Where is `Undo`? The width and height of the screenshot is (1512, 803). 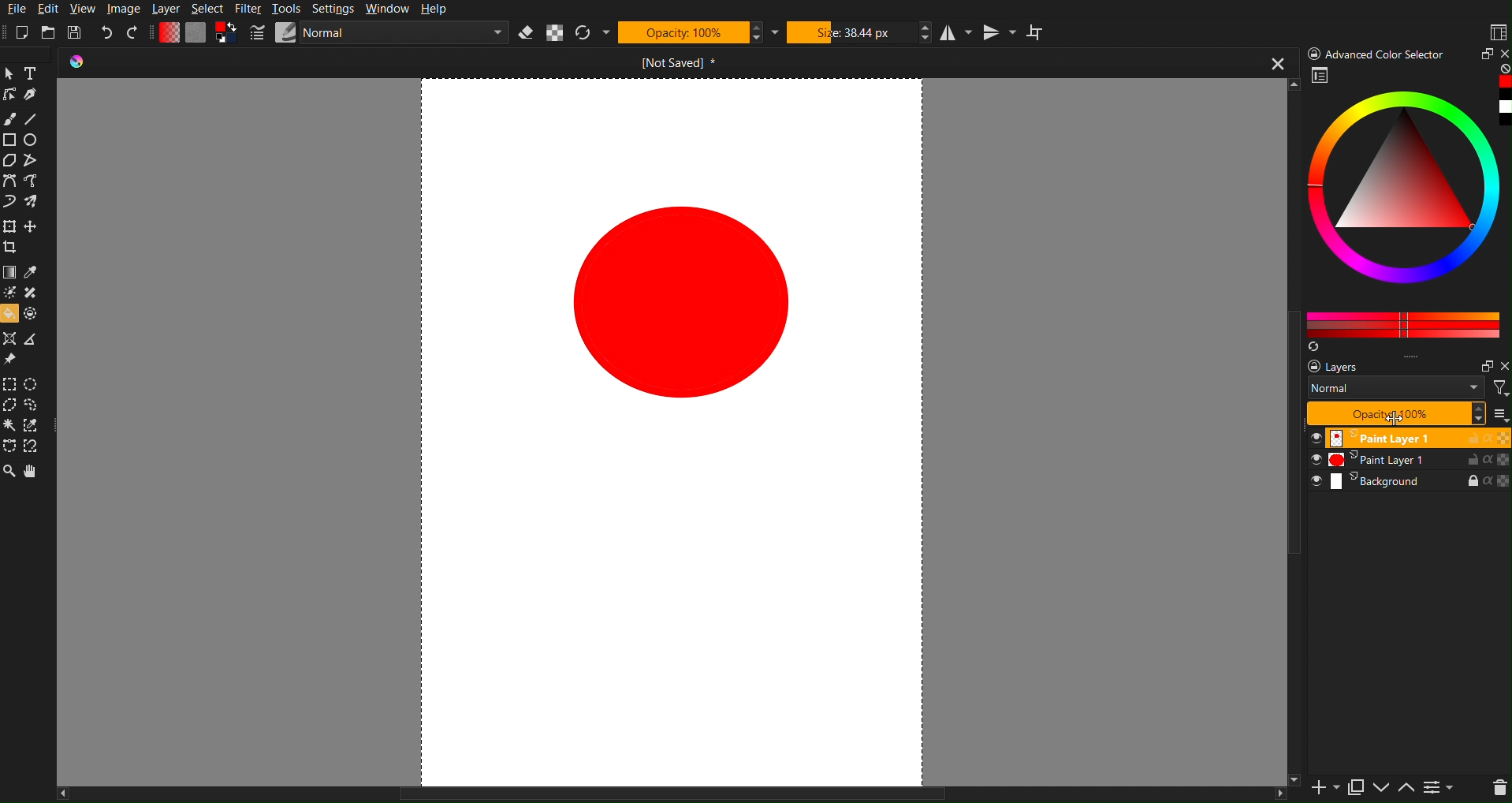 Undo is located at coordinates (106, 35).